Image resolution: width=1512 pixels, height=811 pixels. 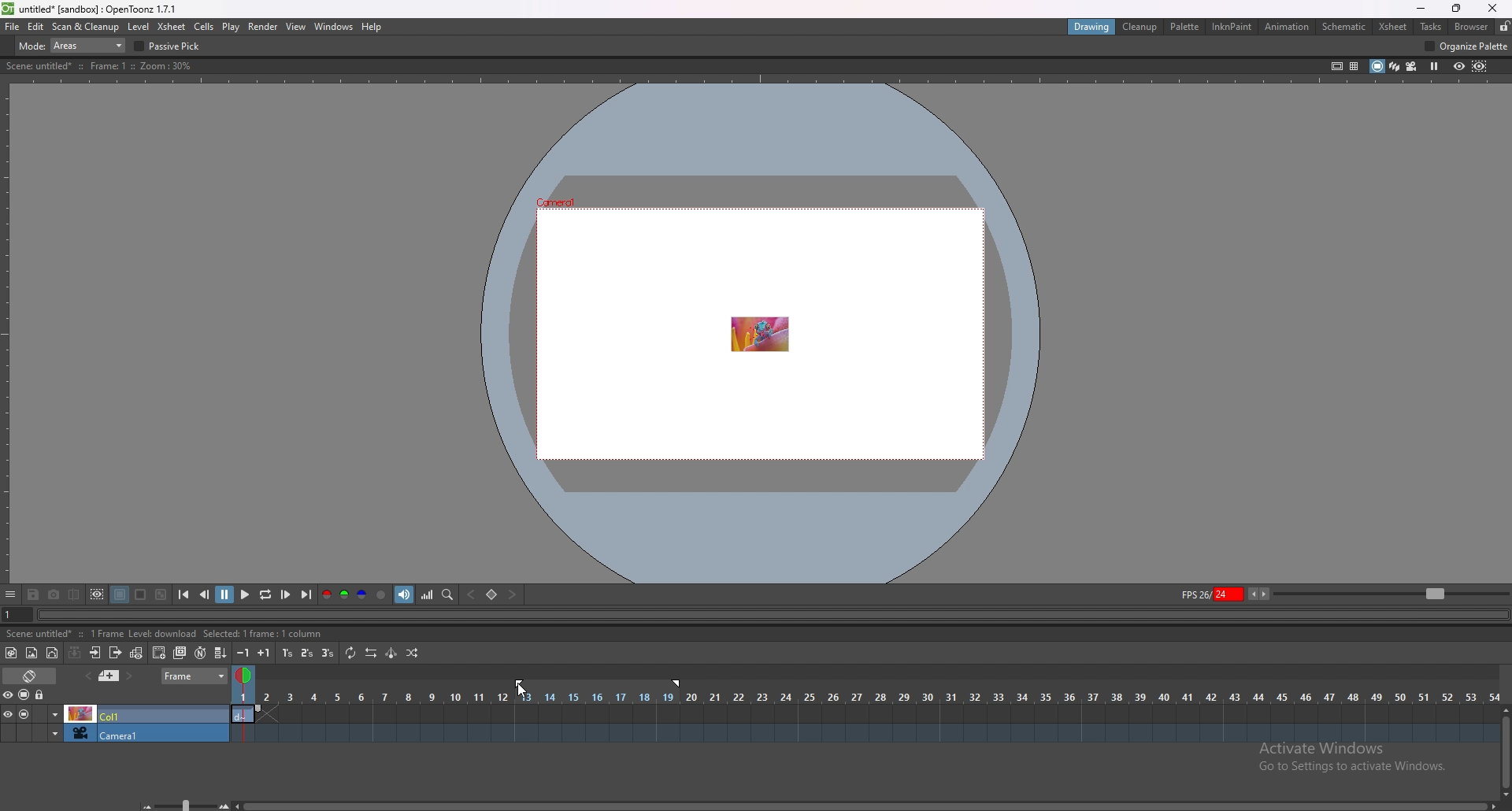 I want to click on cells, so click(x=204, y=26).